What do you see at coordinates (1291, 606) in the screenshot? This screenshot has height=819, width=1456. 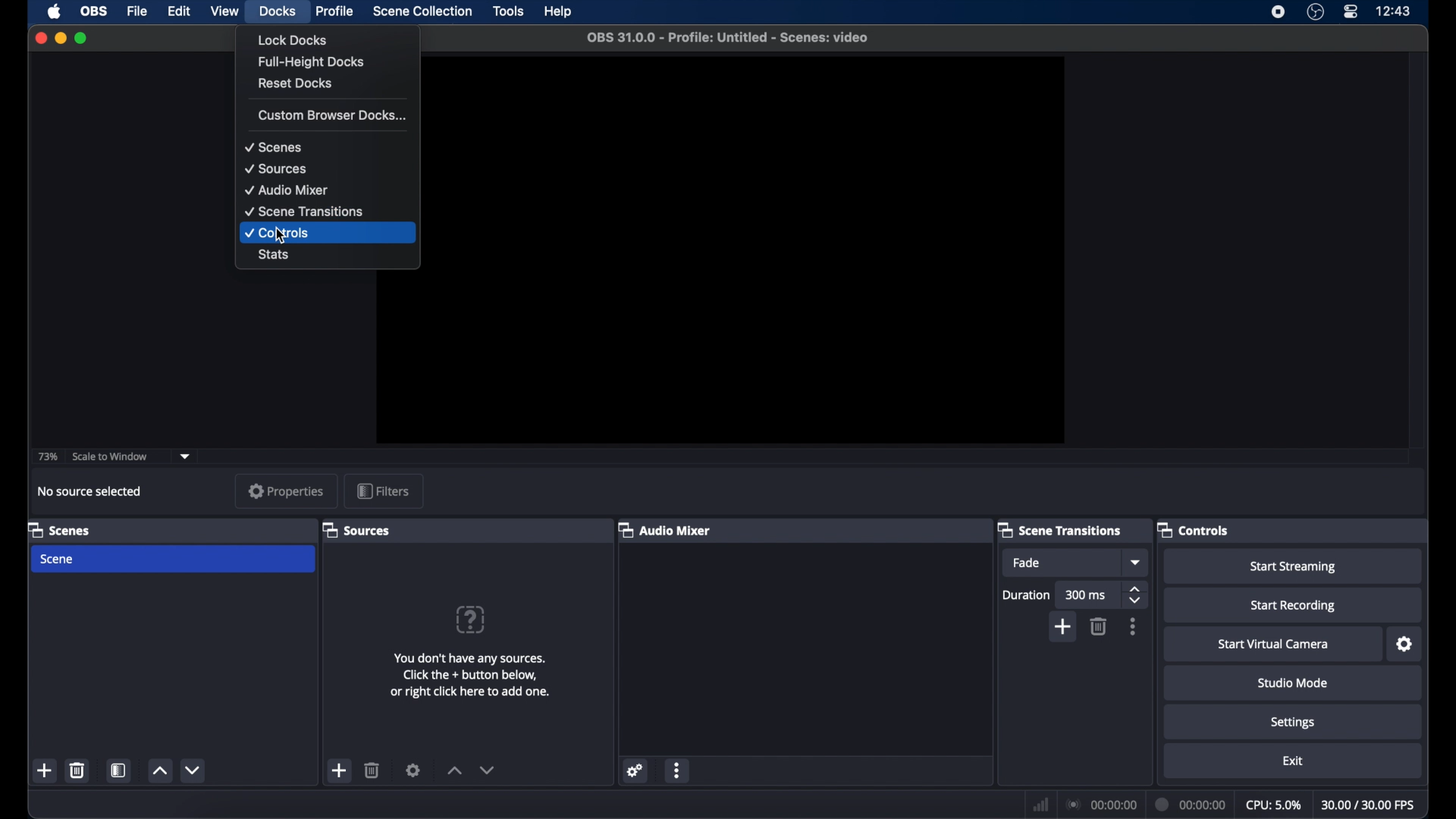 I see `start recording` at bounding box center [1291, 606].